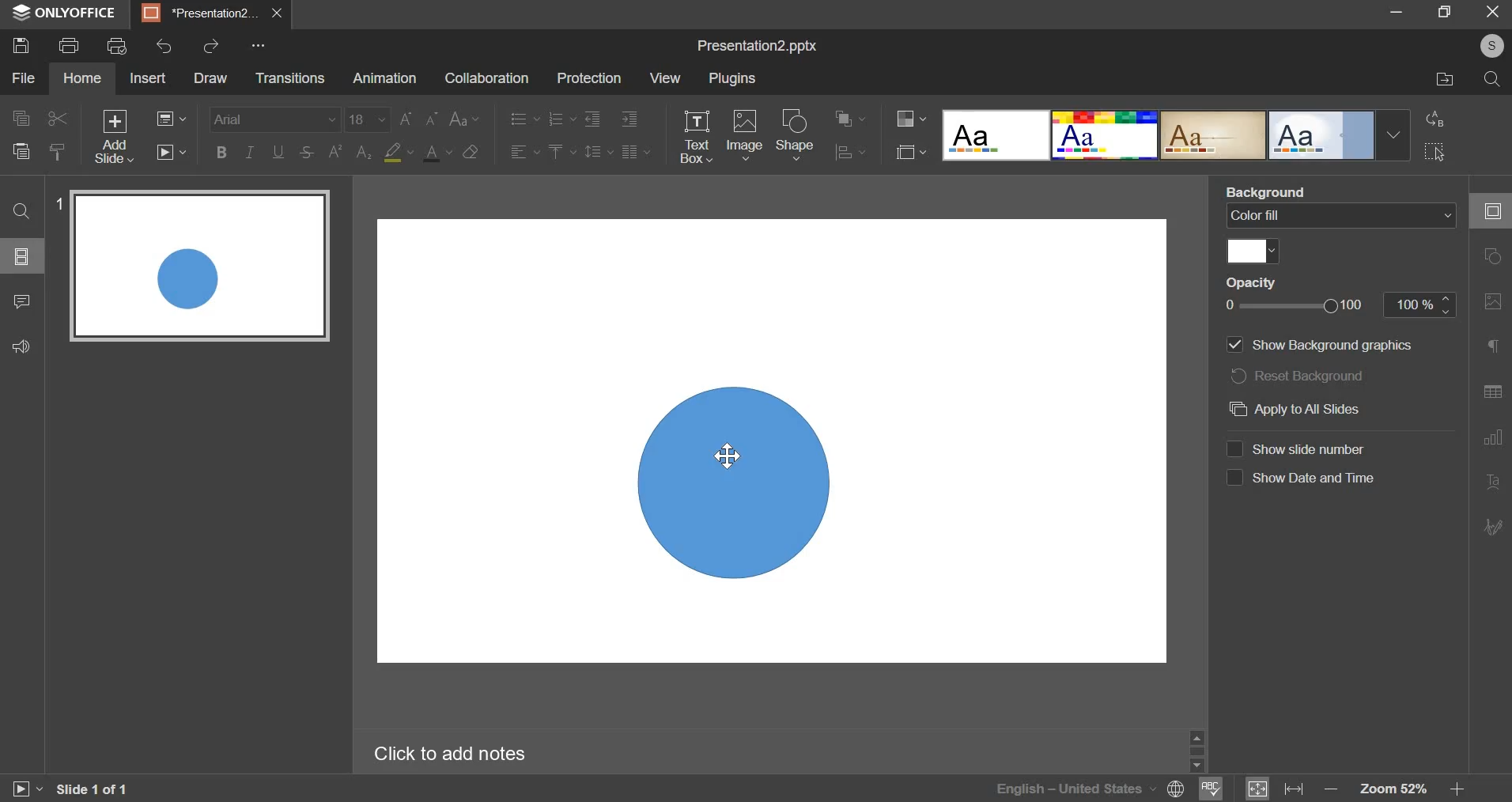 This screenshot has height=802, width=1512. What do you see at coordinates (100, 786) in the screenshot?
I see `Slide 1 of 1` at bounding box center [100, 786].